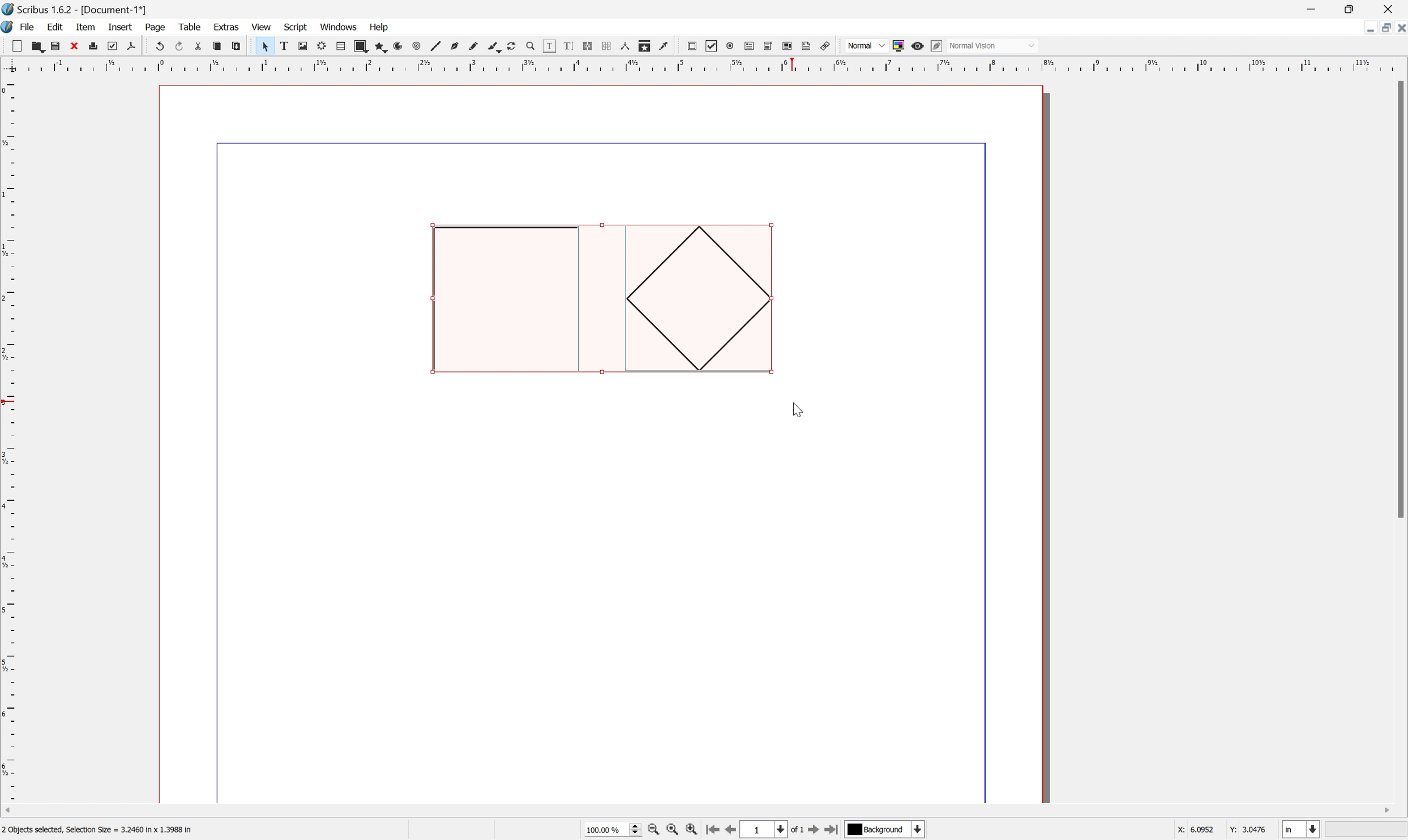  I want to click on measurements, so click(624, 46).